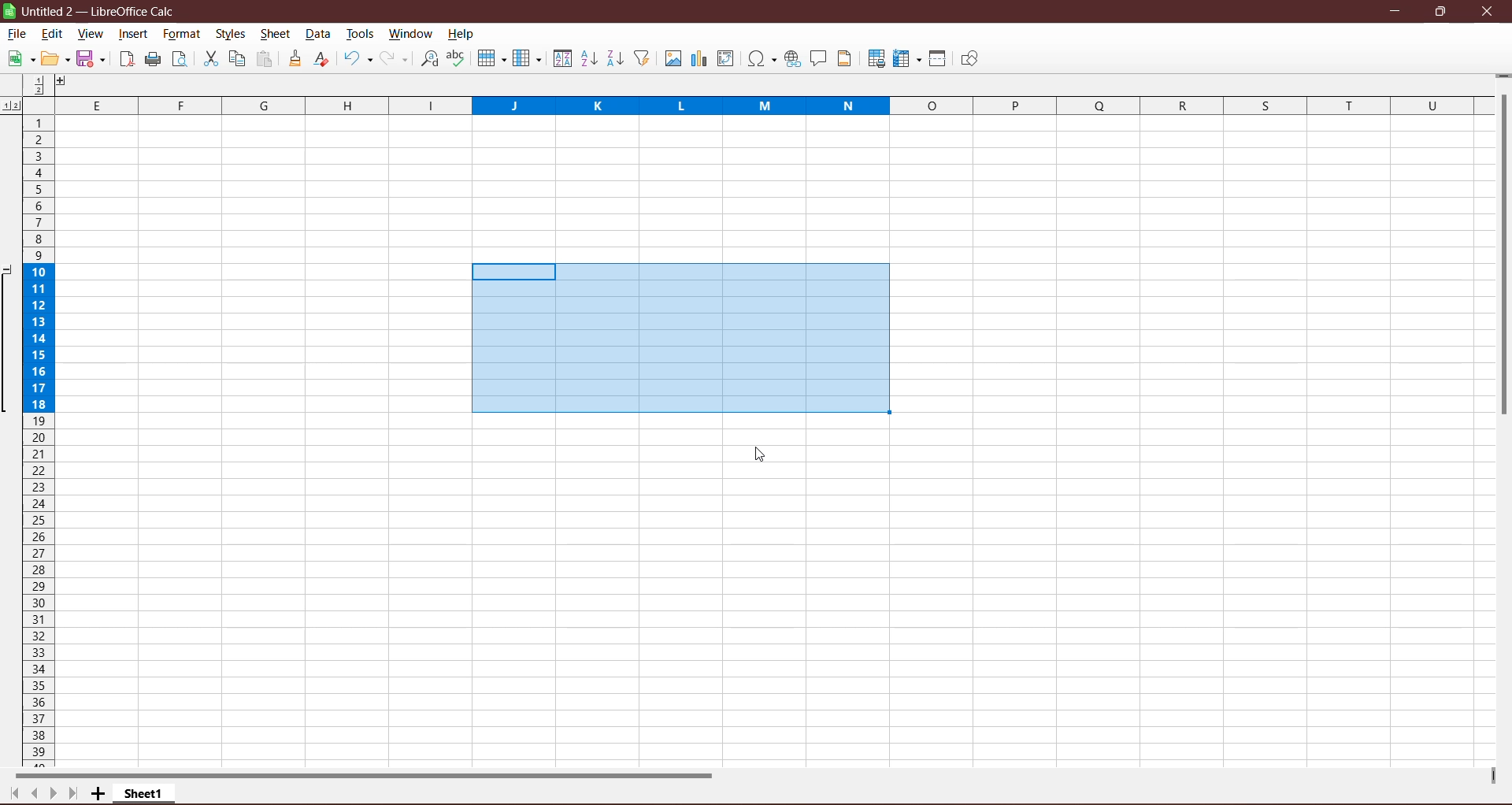 This screenshot has height=805, width=1512. What do you see at coordinates (17, 34) in the screenshot?
I see `File` at bounding box center [17, 34].